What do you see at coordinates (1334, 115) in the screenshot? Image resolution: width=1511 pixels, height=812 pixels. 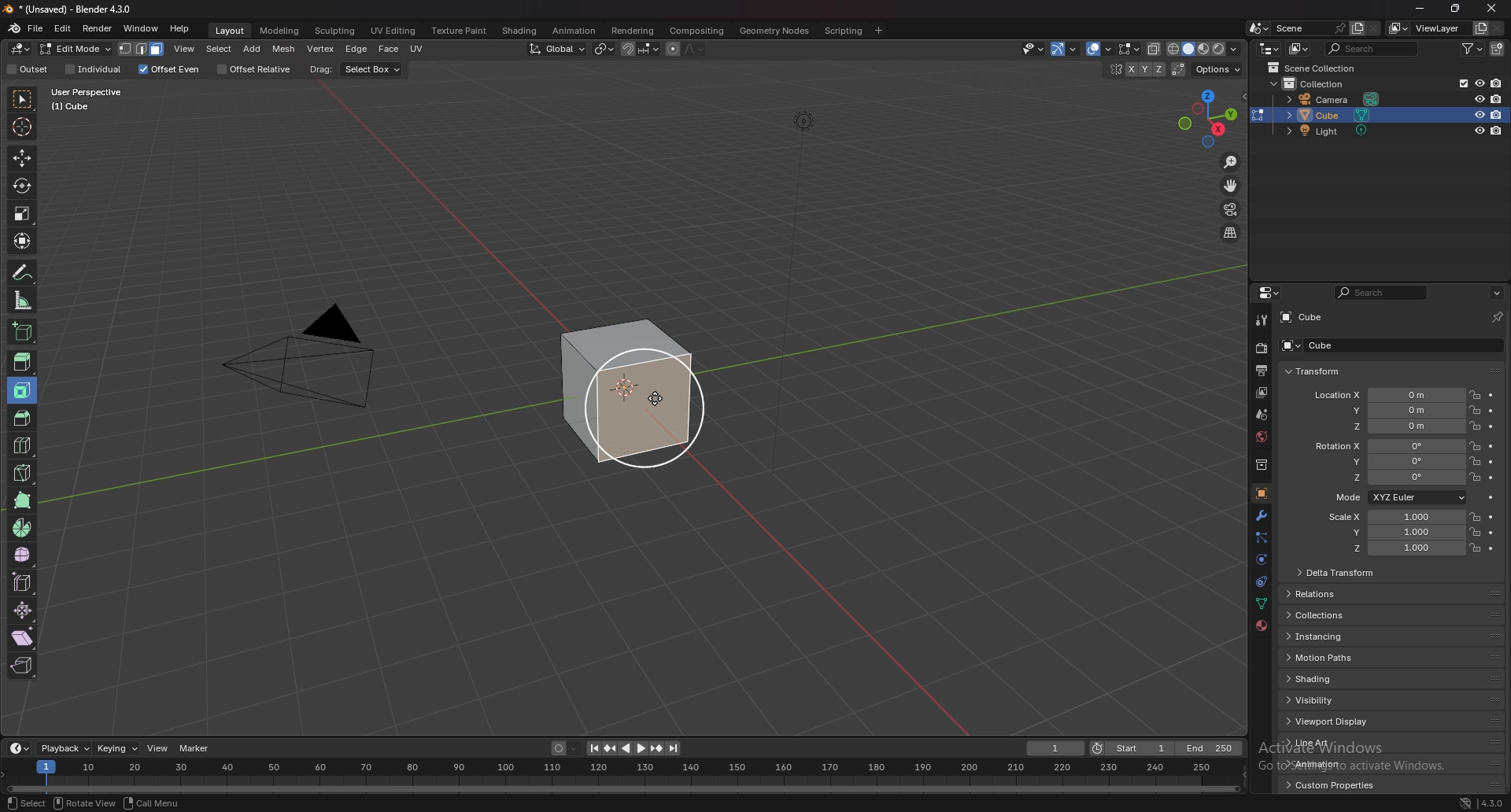 I see `cube` at bounding box center [1334, 115].